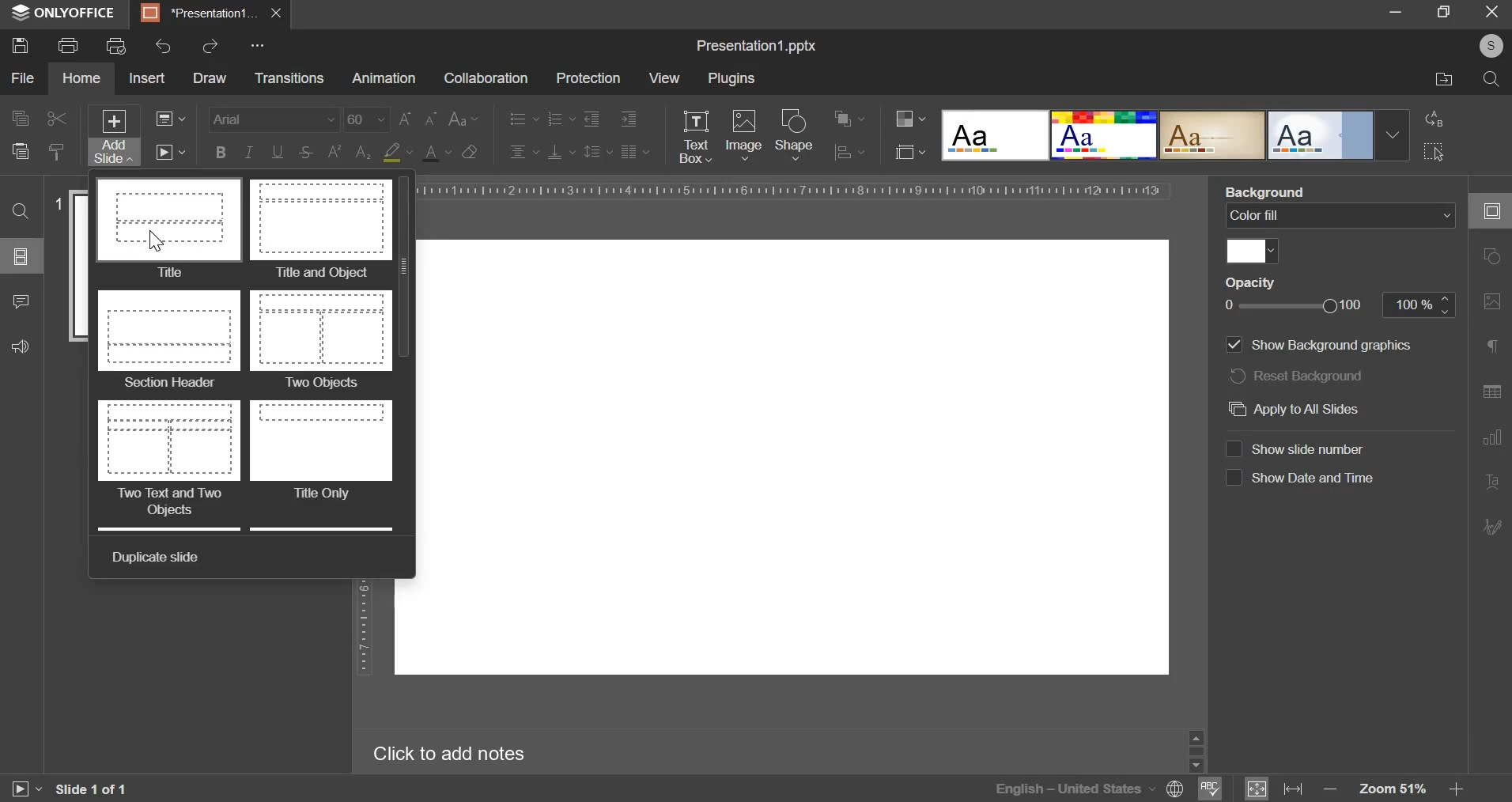  What do you see at coordinates (19, 44) in the screenshot?
I see `save` at bounding box center [19, 44].